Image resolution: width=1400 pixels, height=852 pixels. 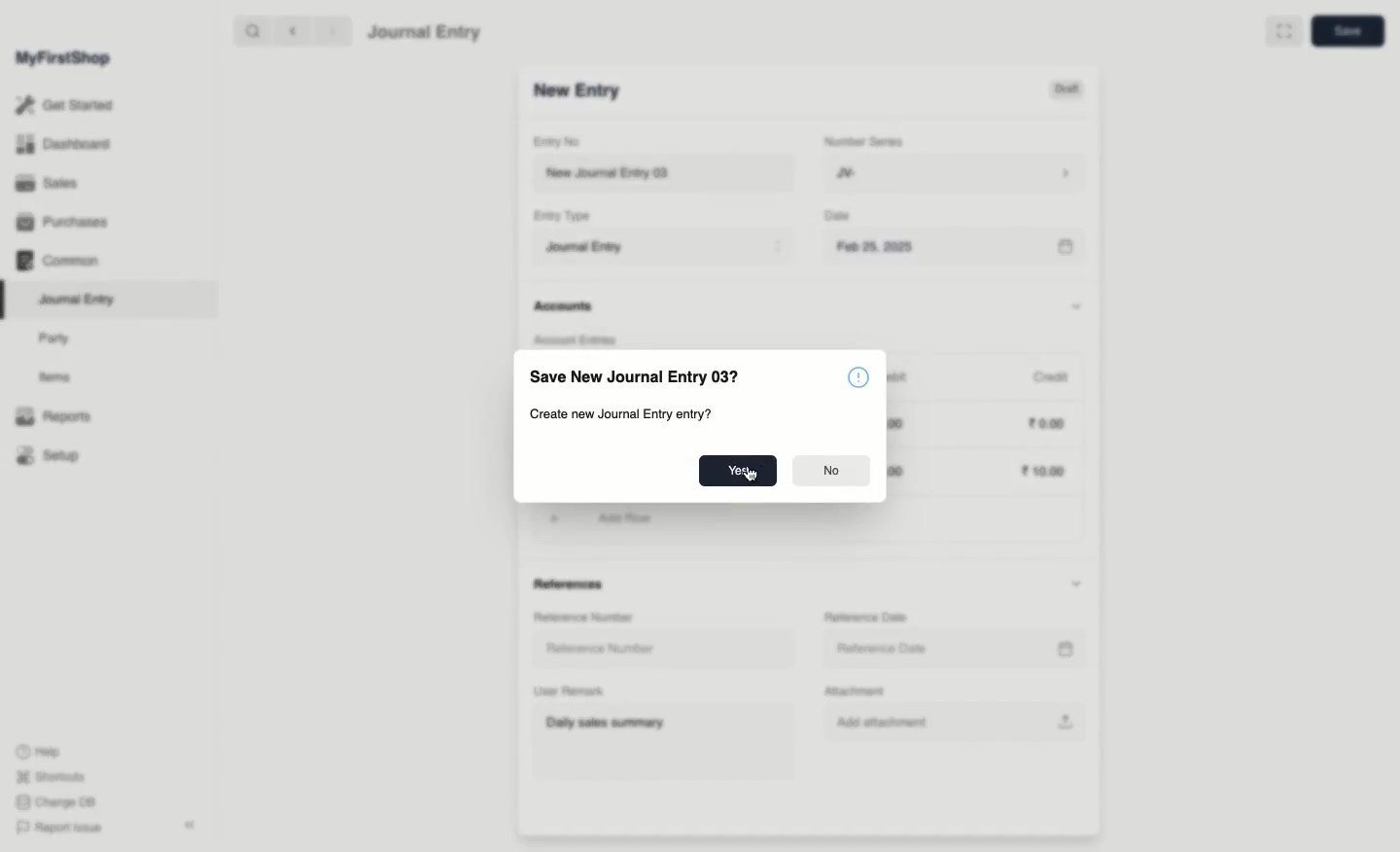 I want to click on backward <, so click(x=288, y=31).